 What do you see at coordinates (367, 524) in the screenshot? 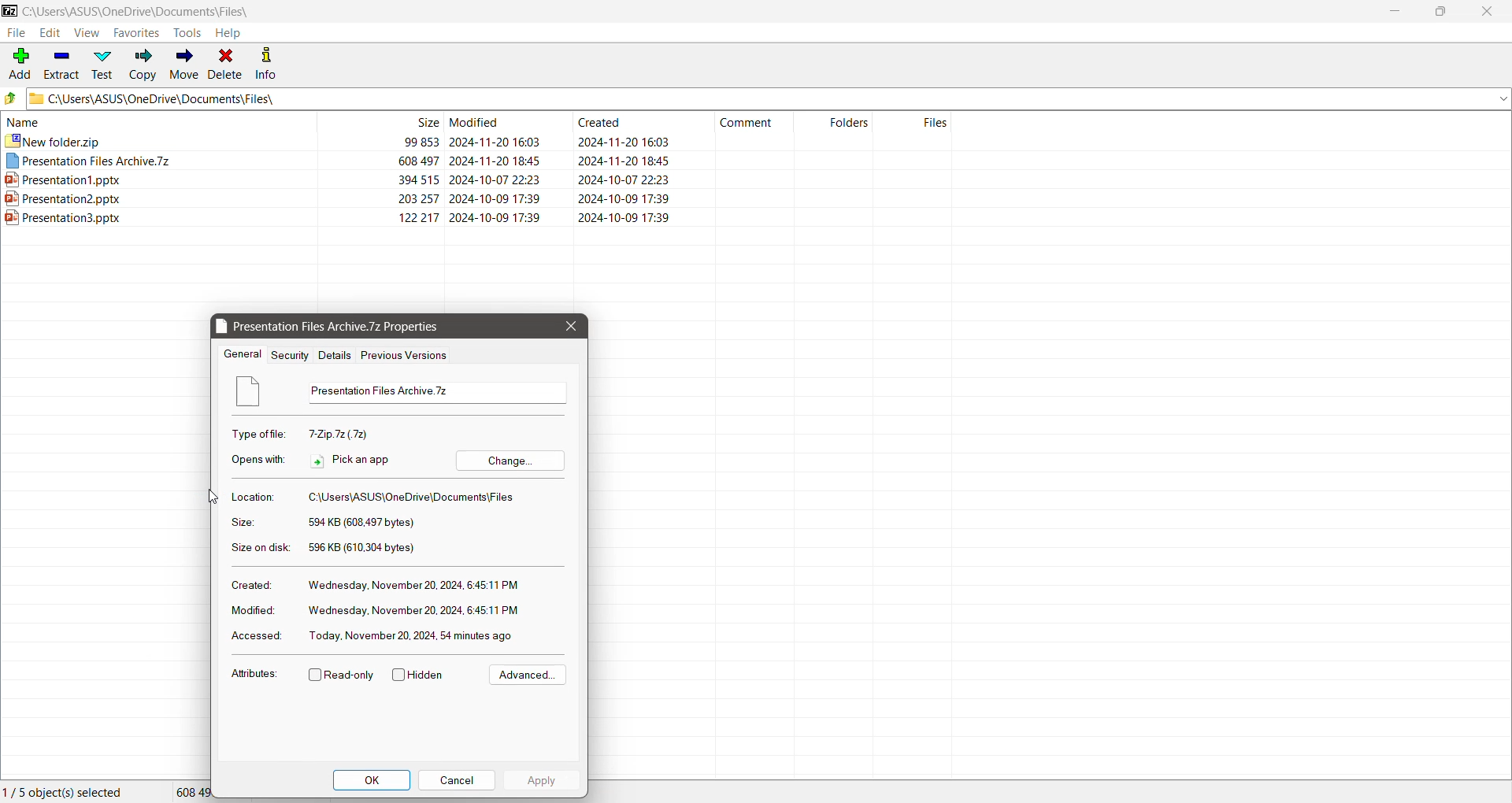
I see `Selected File size` at bounding box center [367, 524].